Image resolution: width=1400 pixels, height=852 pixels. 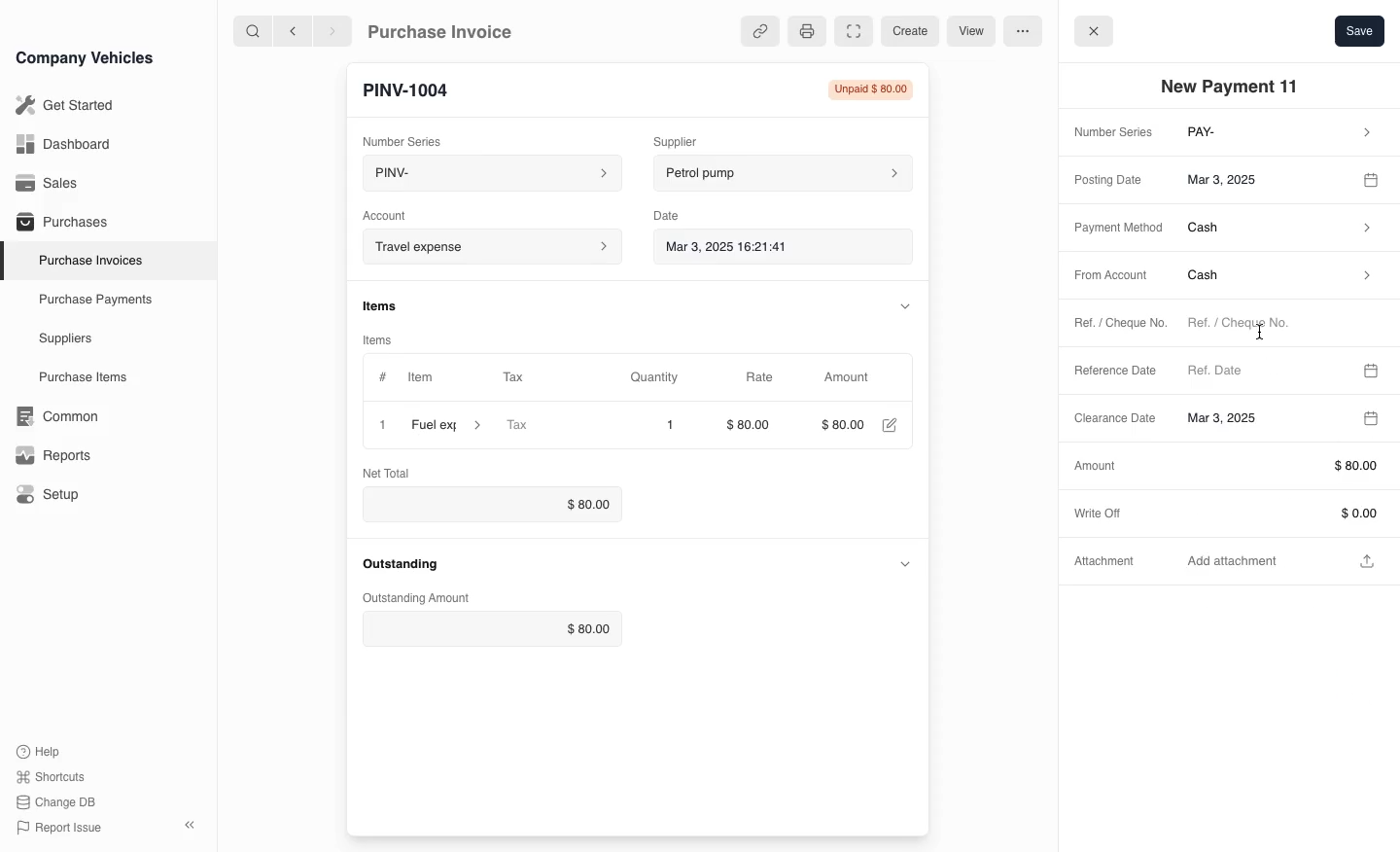 I want to click on Amount, so click(x=1094, y=465).